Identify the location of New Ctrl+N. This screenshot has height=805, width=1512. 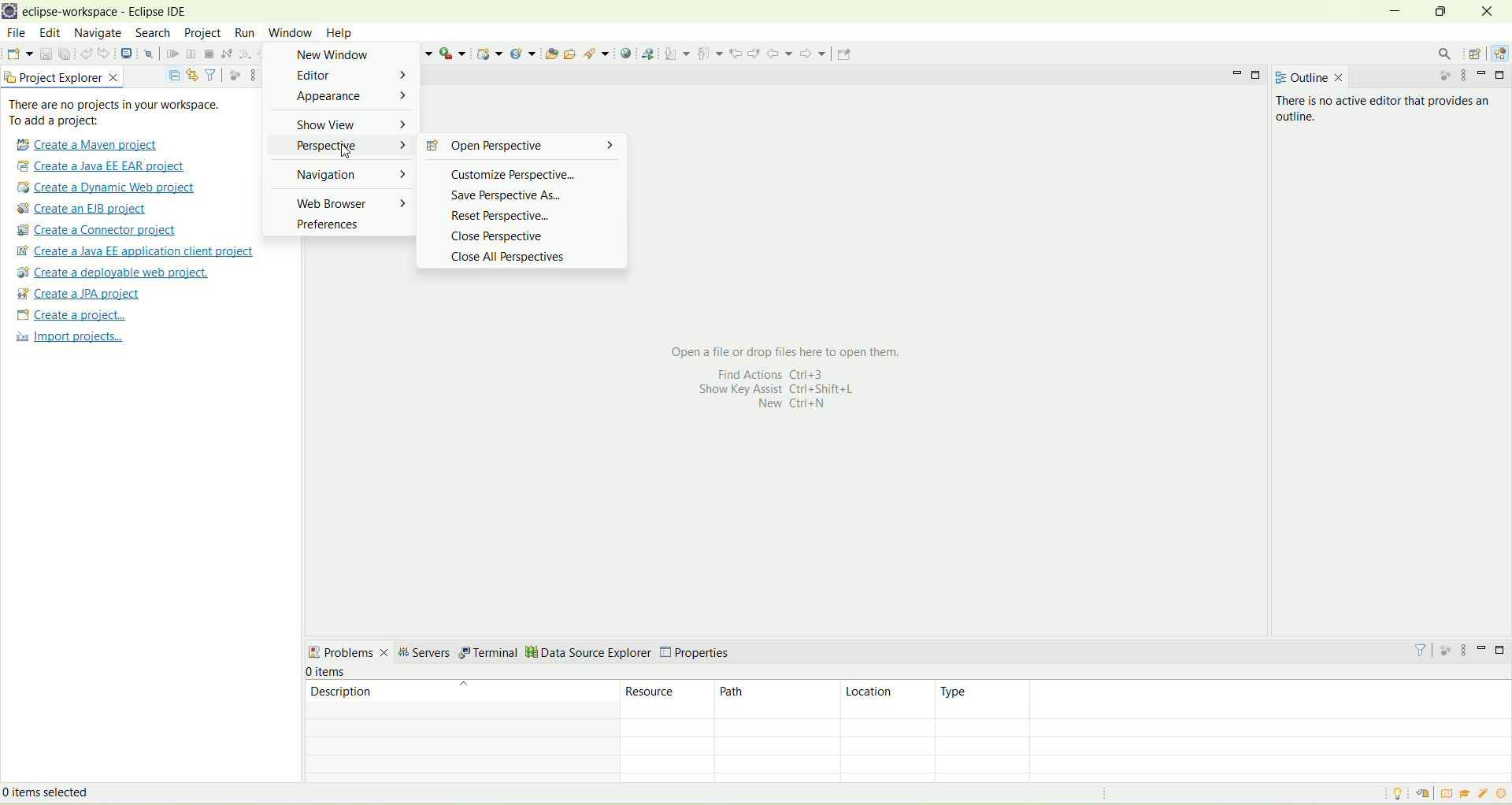
(784, 404).